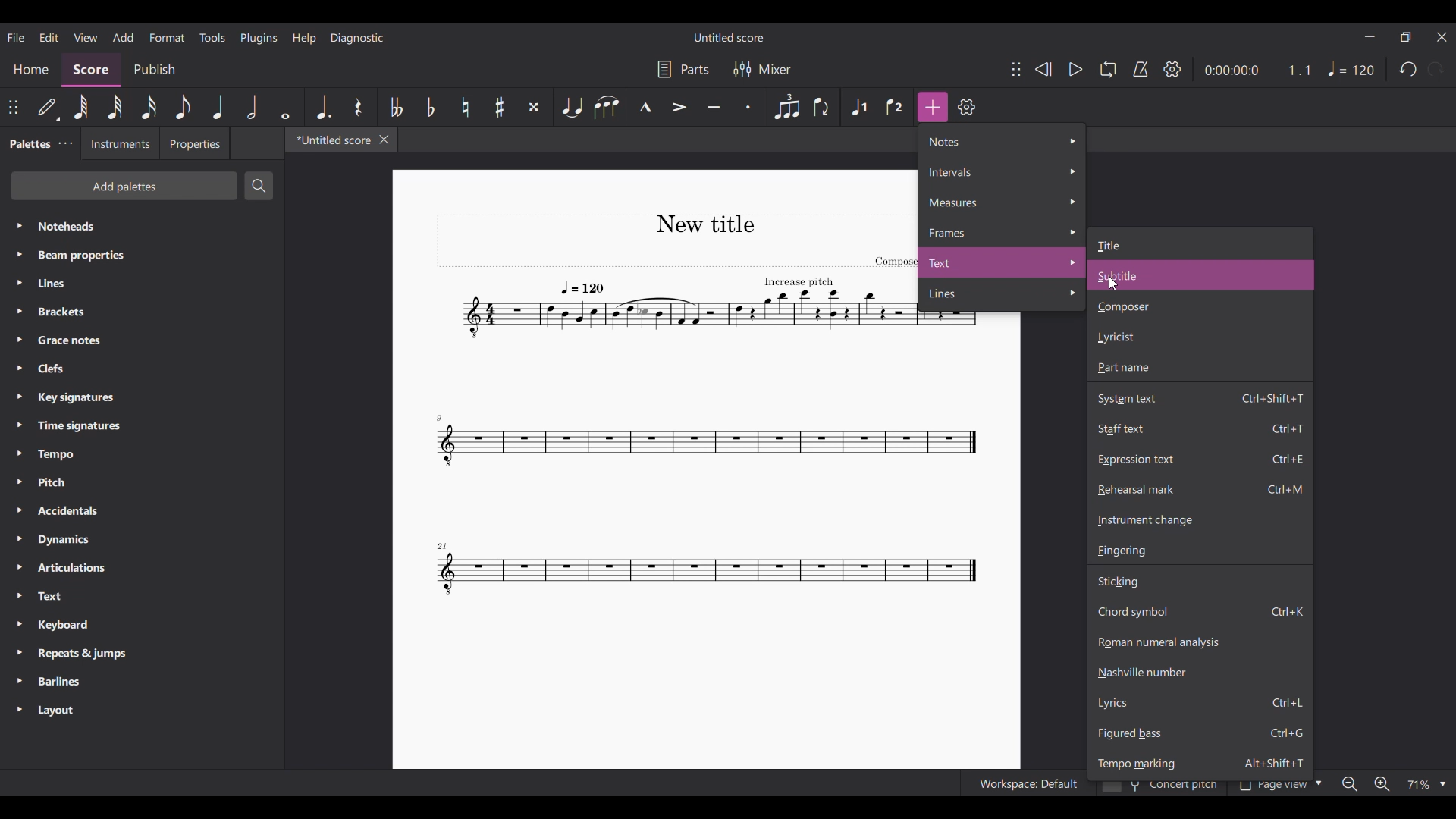 The width and height of the screenshot is (1456, 819). What do you see at coordinates (1200, 704) in the screenshot?
I see `Lyrics` at bounding box center [1200, 704].